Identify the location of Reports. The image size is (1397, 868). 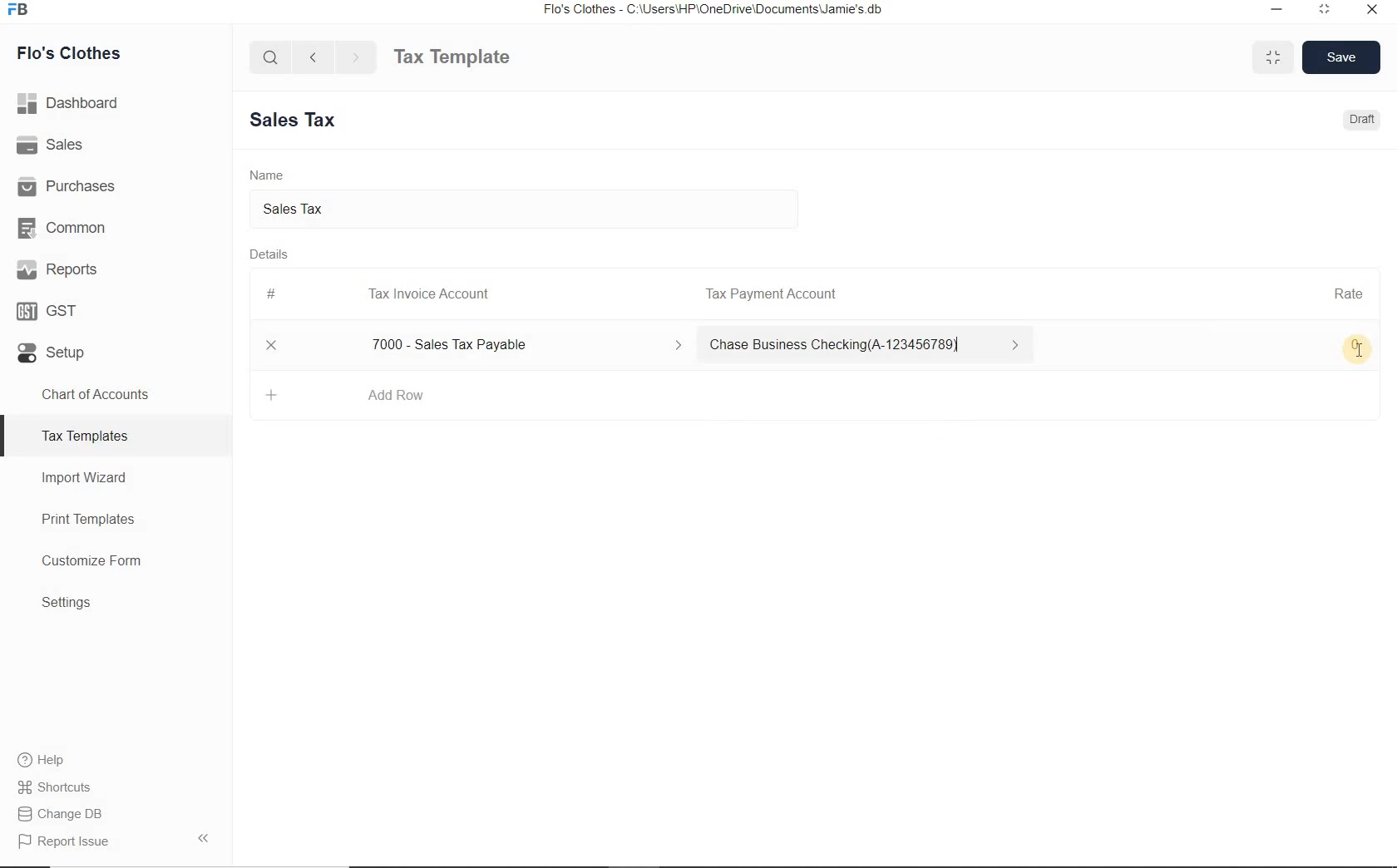
(116, 268).